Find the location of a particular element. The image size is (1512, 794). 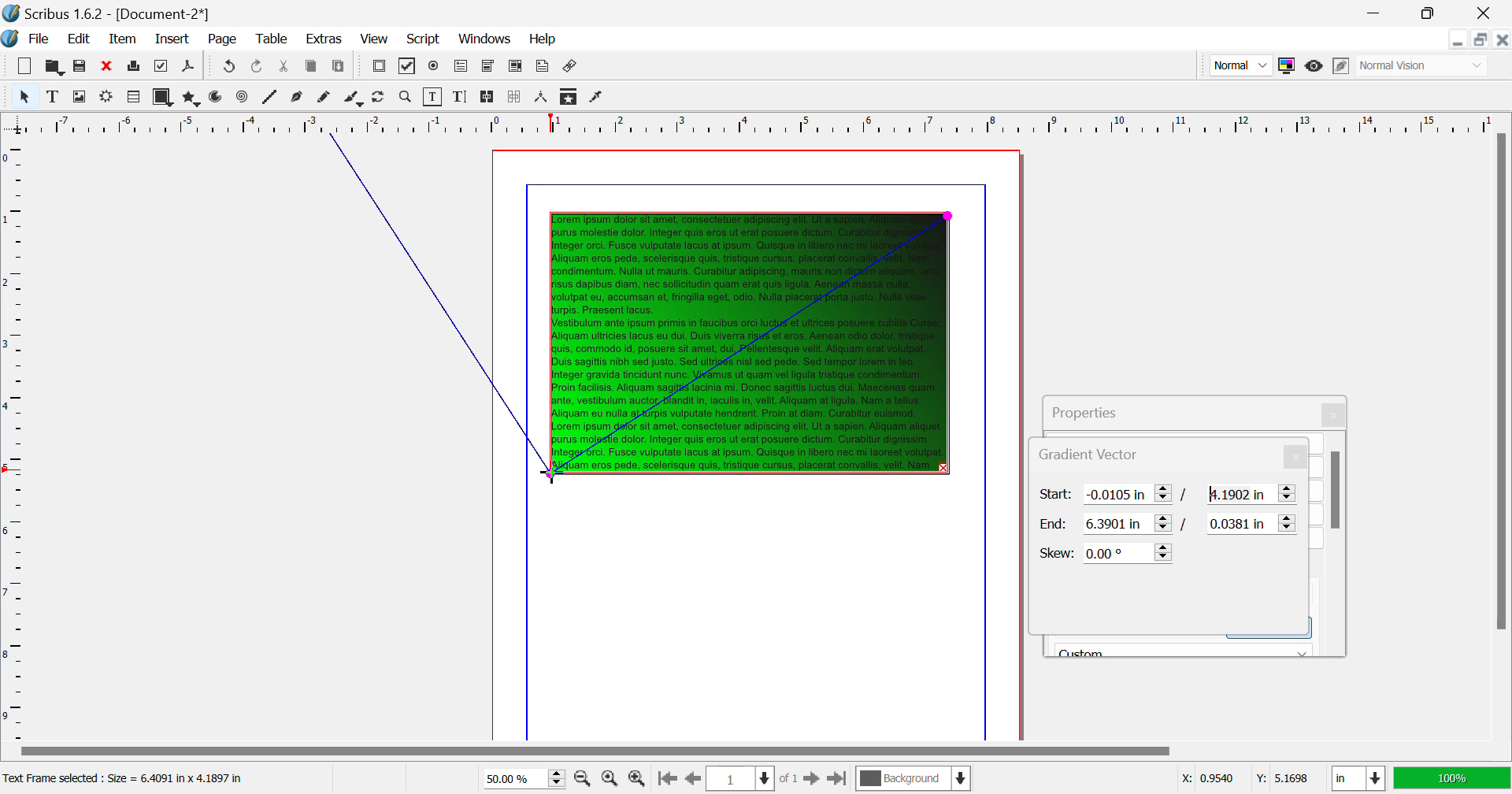

Zoom is located at coordinates (406, 97).